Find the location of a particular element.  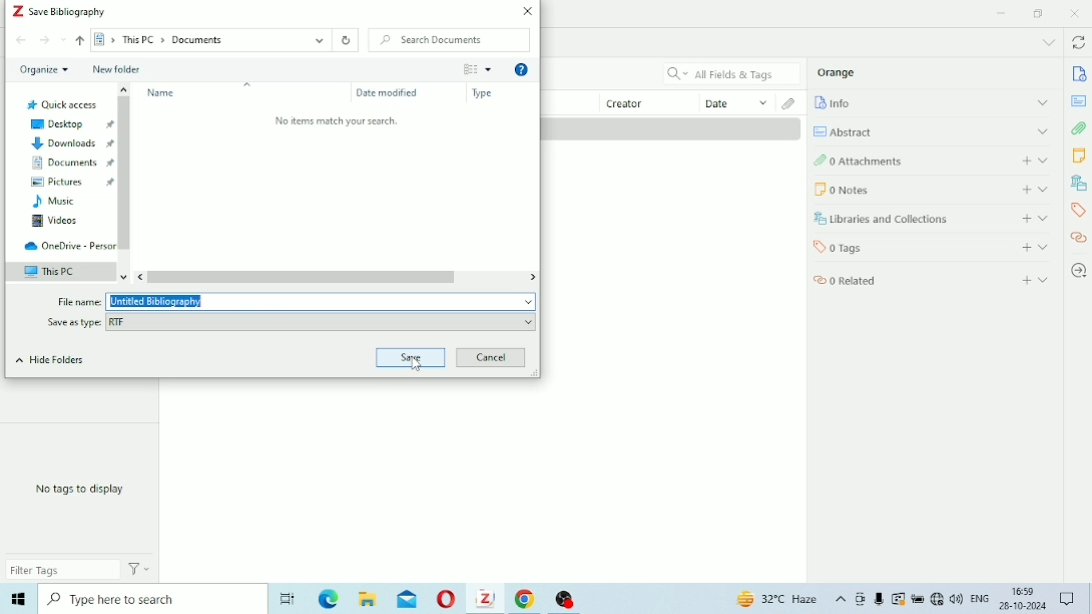

Google Chrome is located at coordinates (528, 599).